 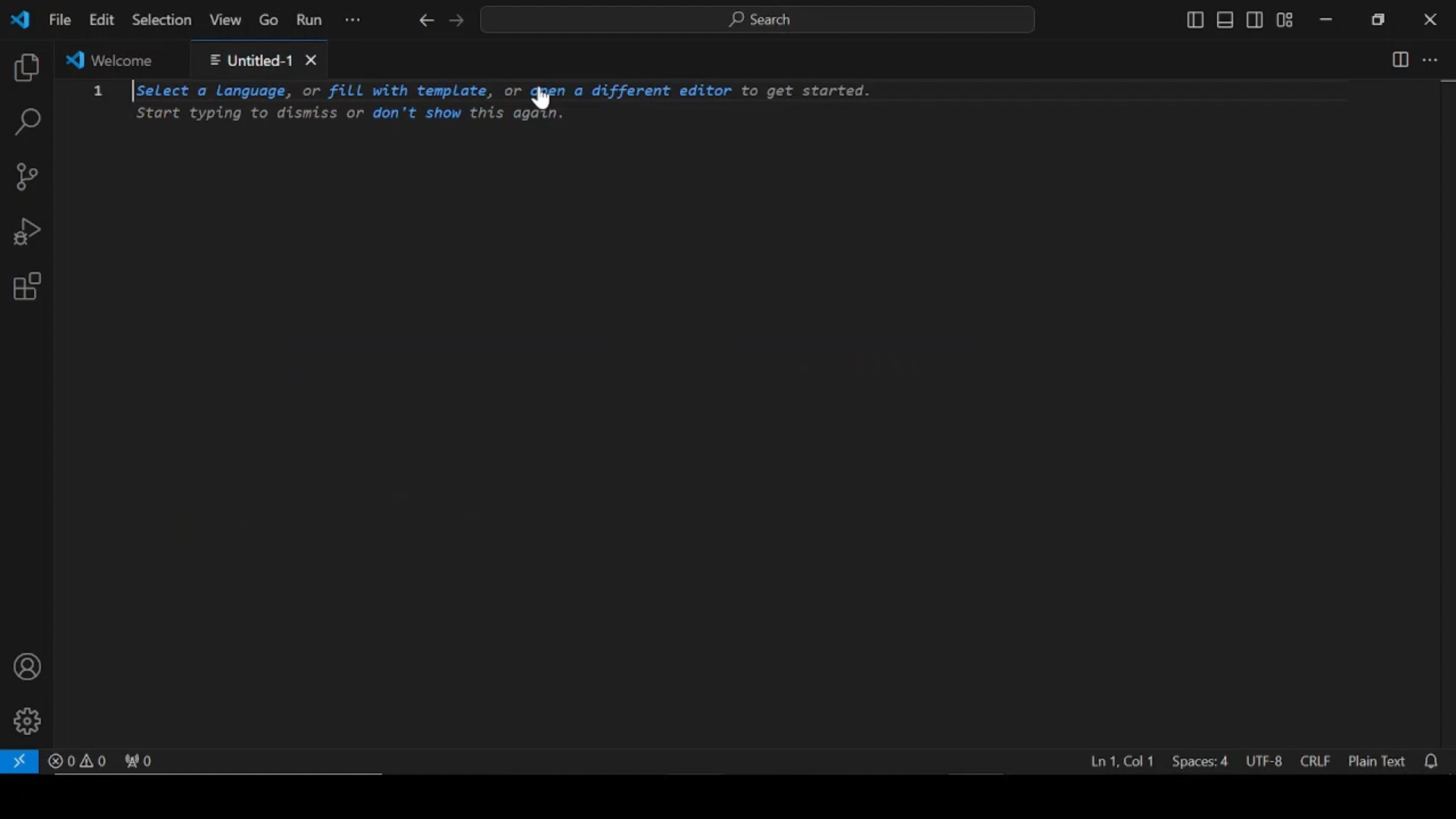 I want to click on welcome tab, so click(x=118, y=59).